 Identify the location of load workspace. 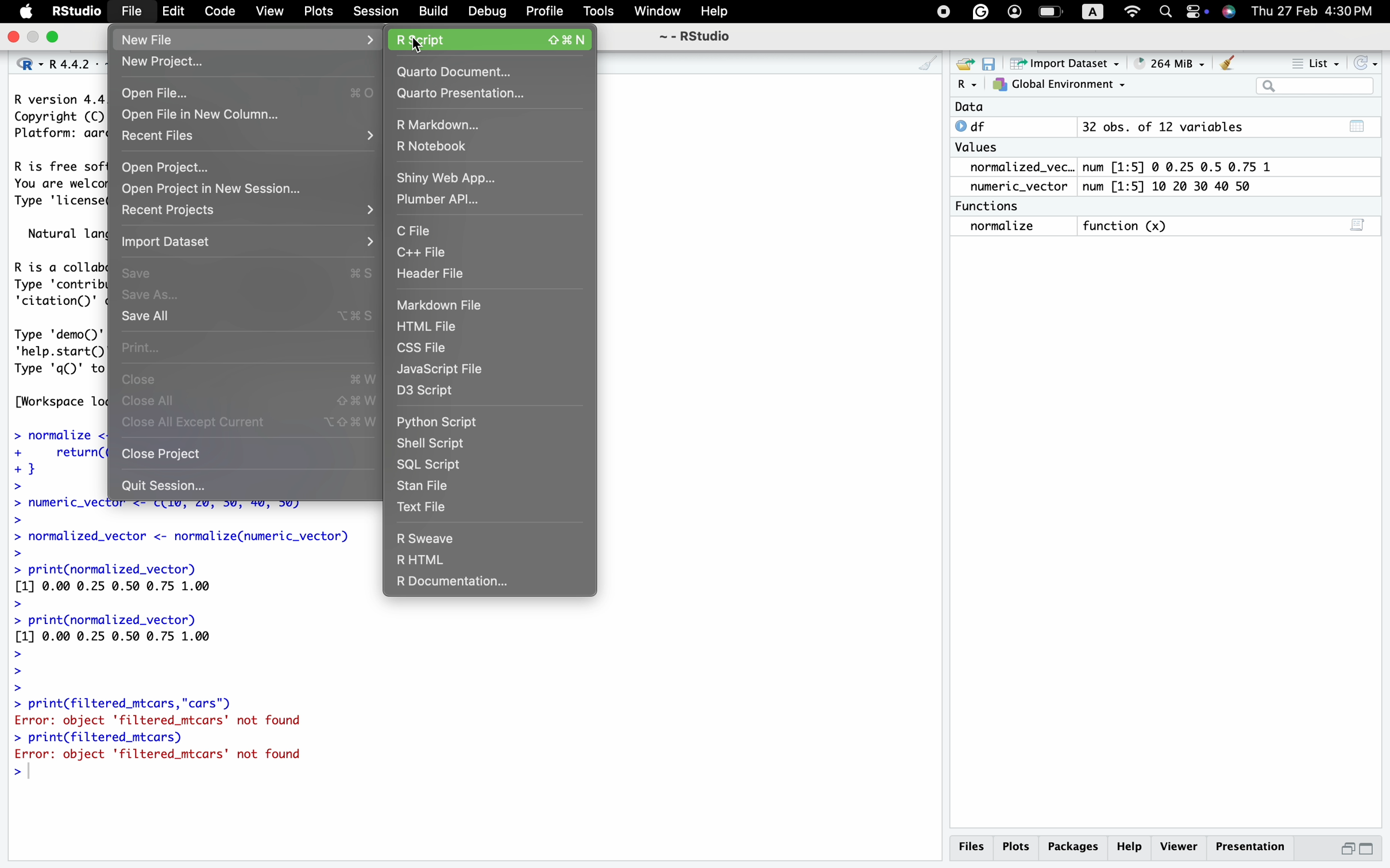
(966, 63).